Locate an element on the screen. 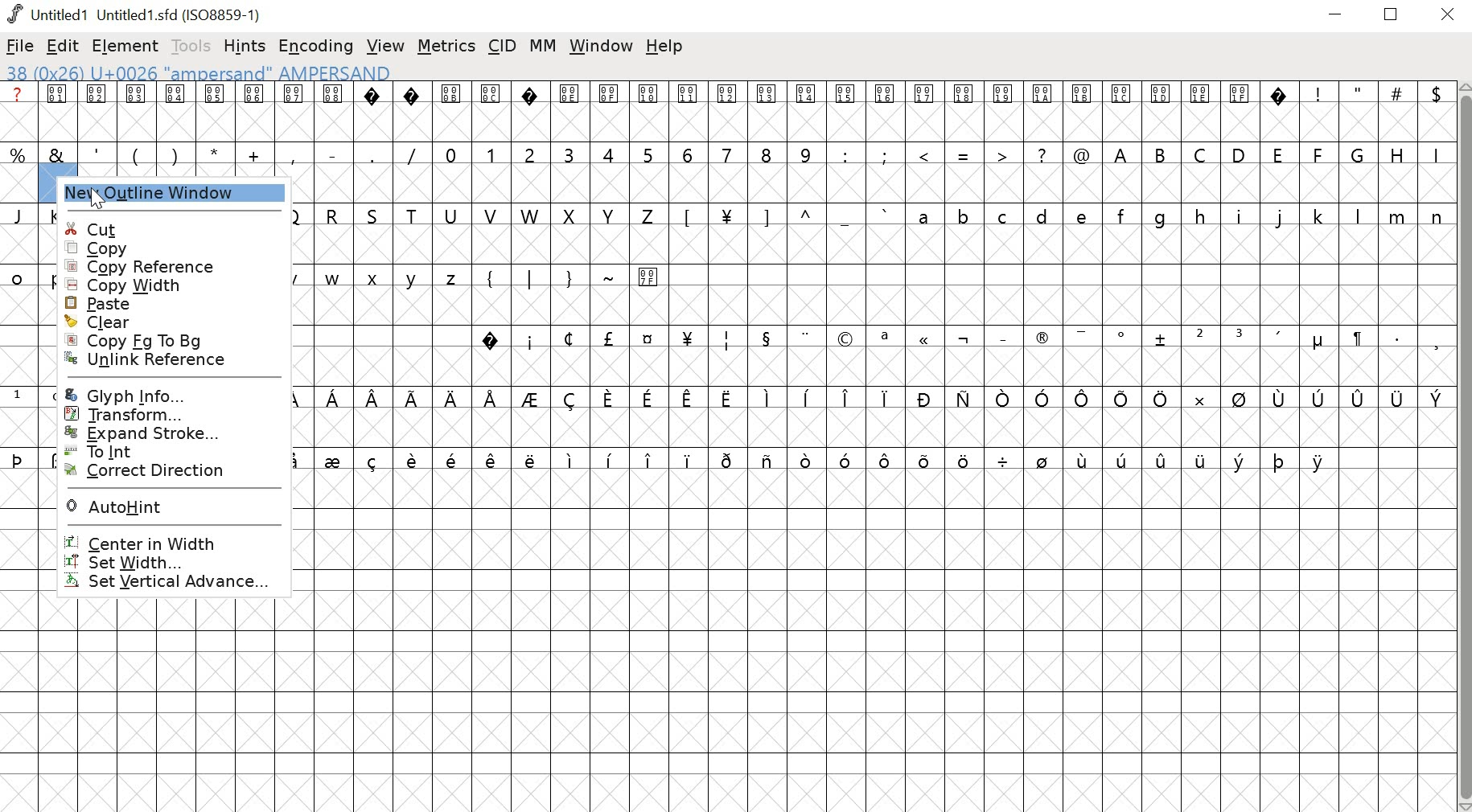 This screenshot has width=1472, height=812. a is located at coordinates (886, 337).